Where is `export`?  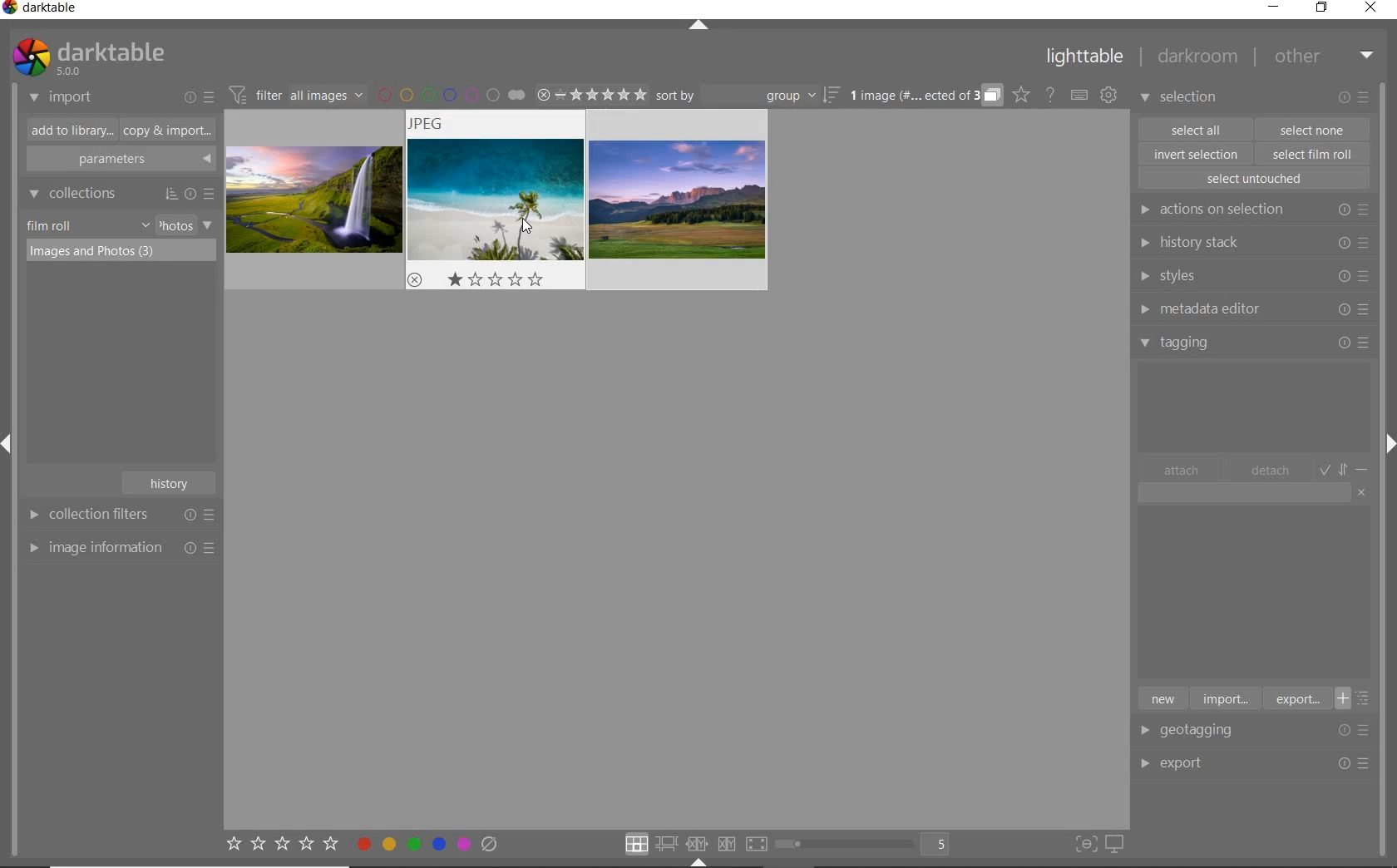 export is located at coordinates (1201, 762).